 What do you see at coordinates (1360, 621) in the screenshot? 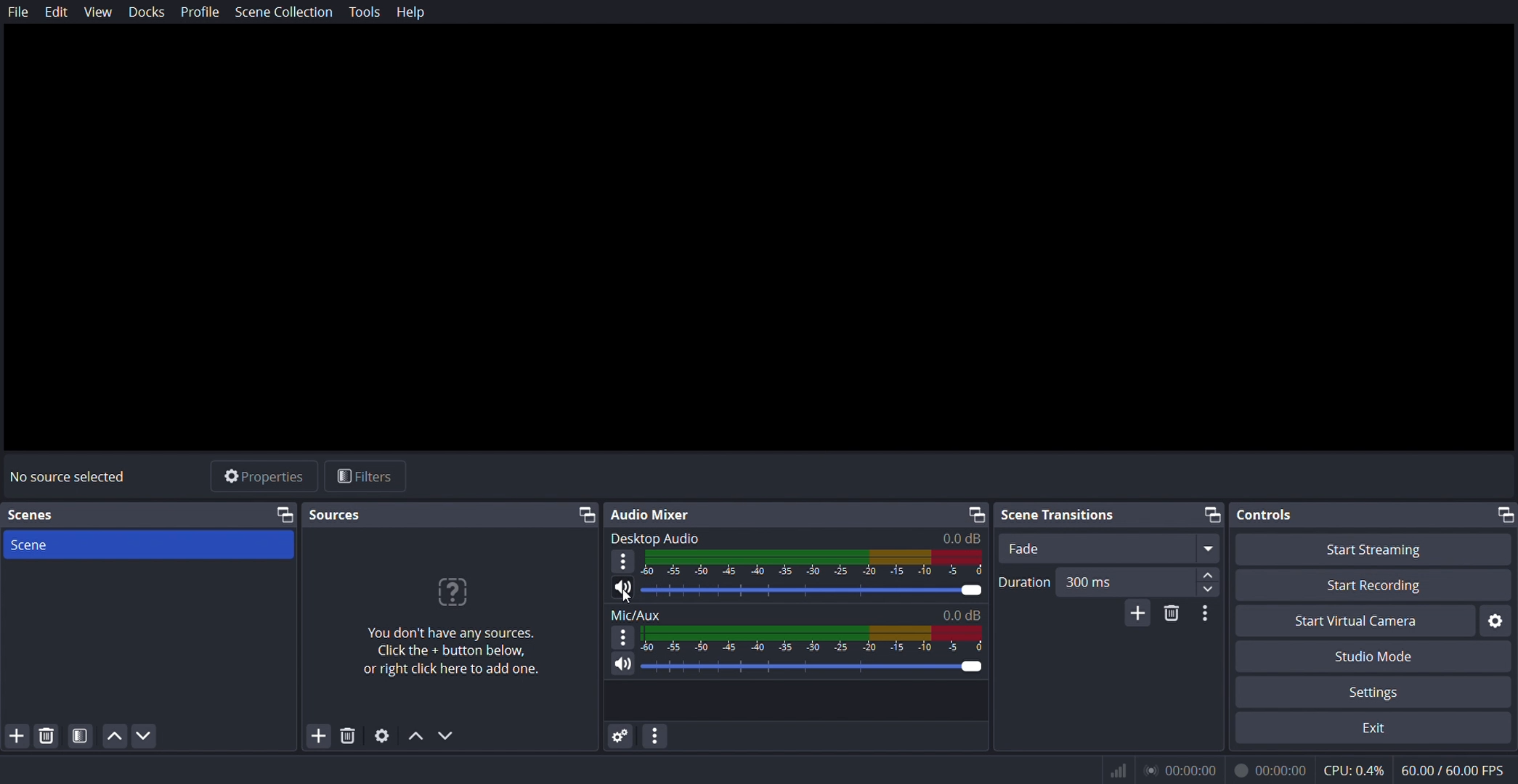
I see `start virtual camera` at bounding box center [1360, 621].